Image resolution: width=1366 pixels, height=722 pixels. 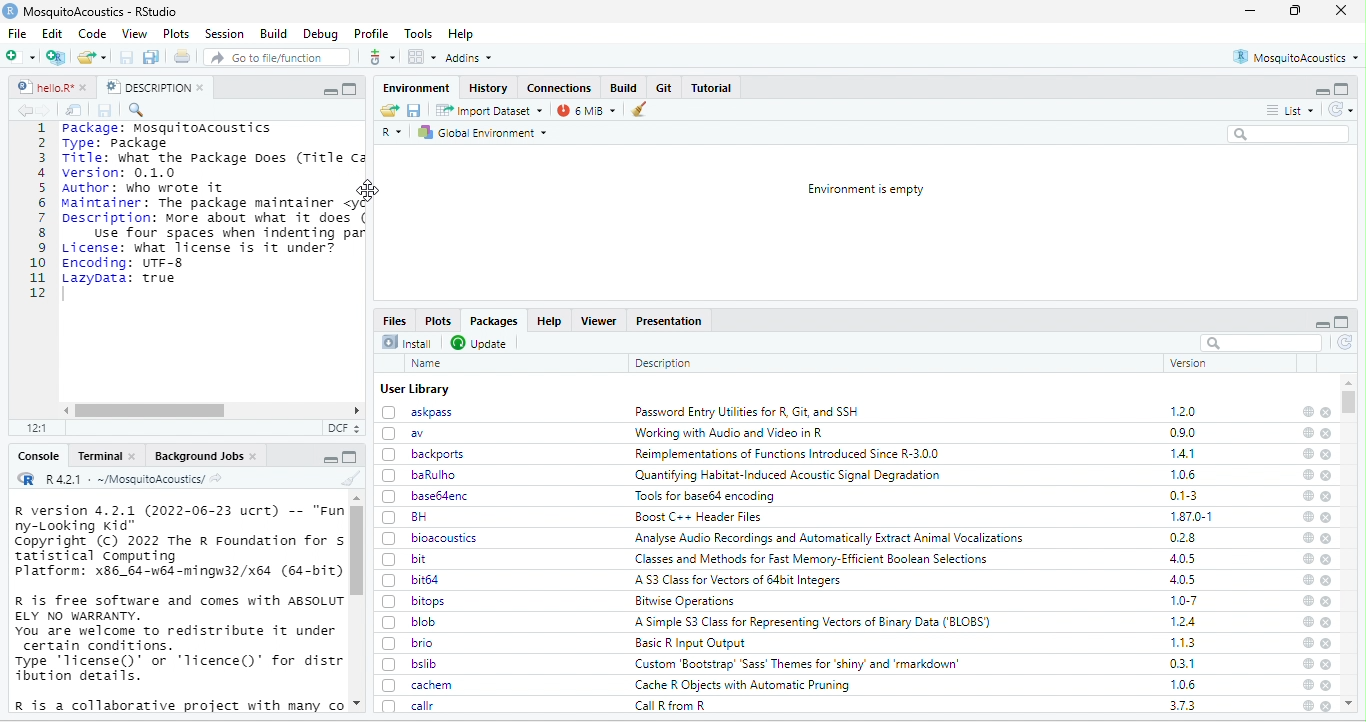 I want to click on full screen, so click(x=1294, y=10).